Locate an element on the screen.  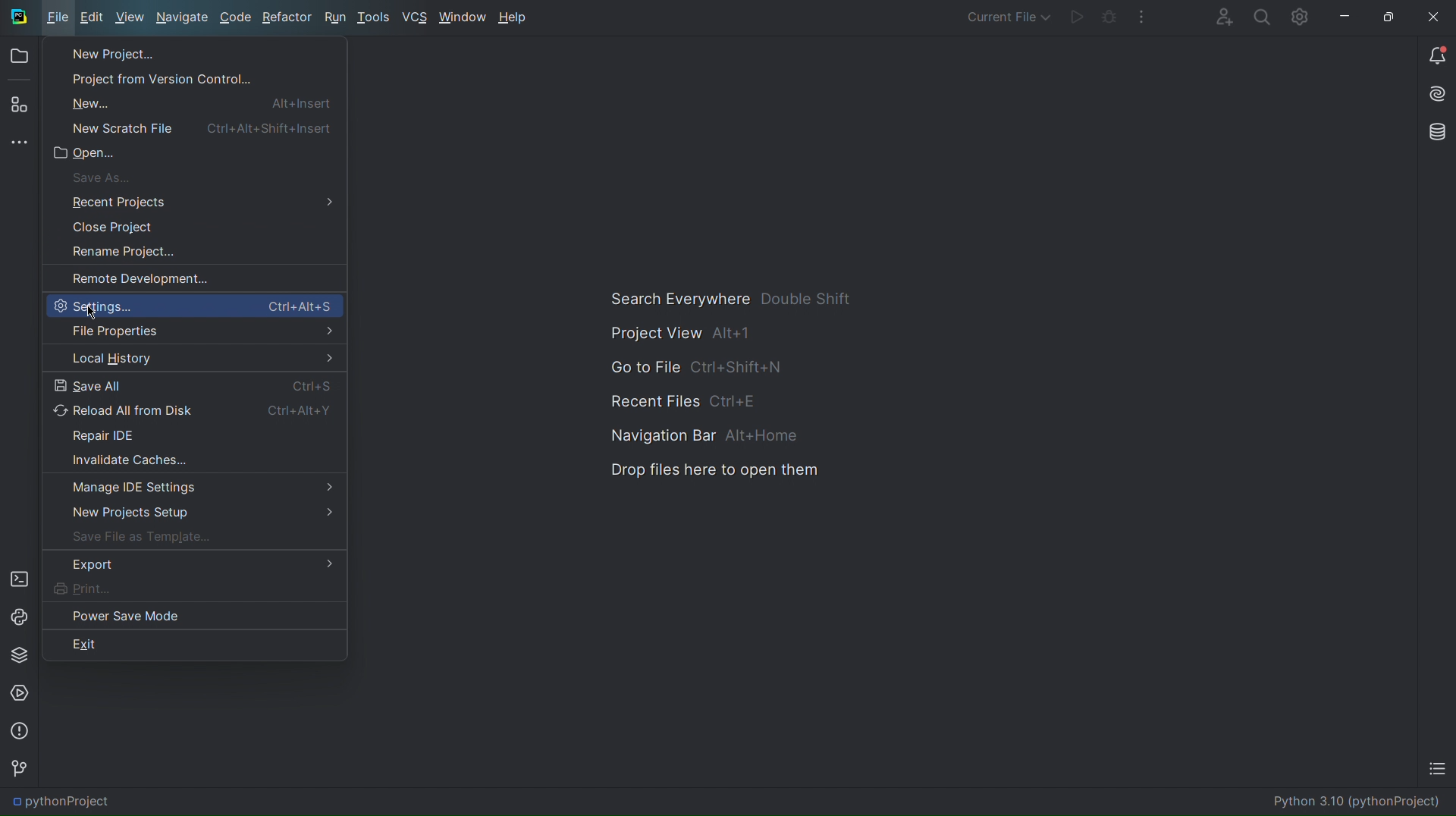
Notifications is located at coordinates (1435, 55).